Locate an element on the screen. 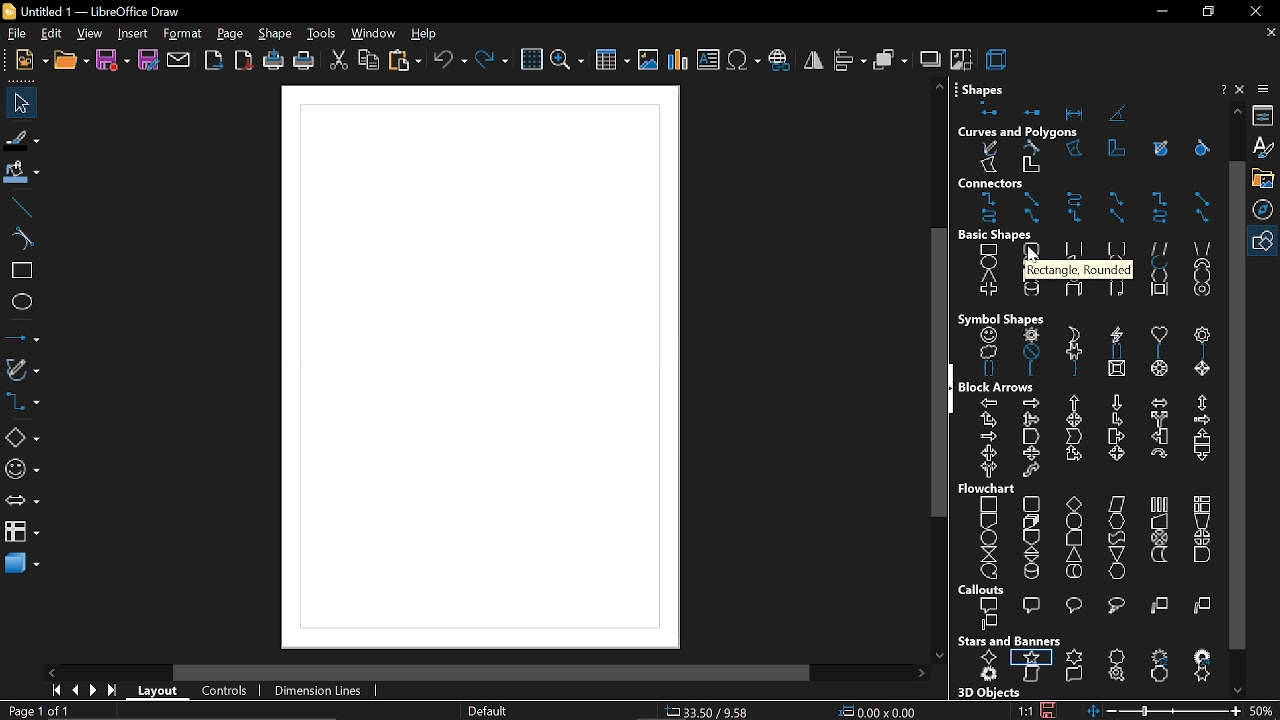 The height and width of the screenshot is (720, 1280). page style is located at coordinates (486, 712).